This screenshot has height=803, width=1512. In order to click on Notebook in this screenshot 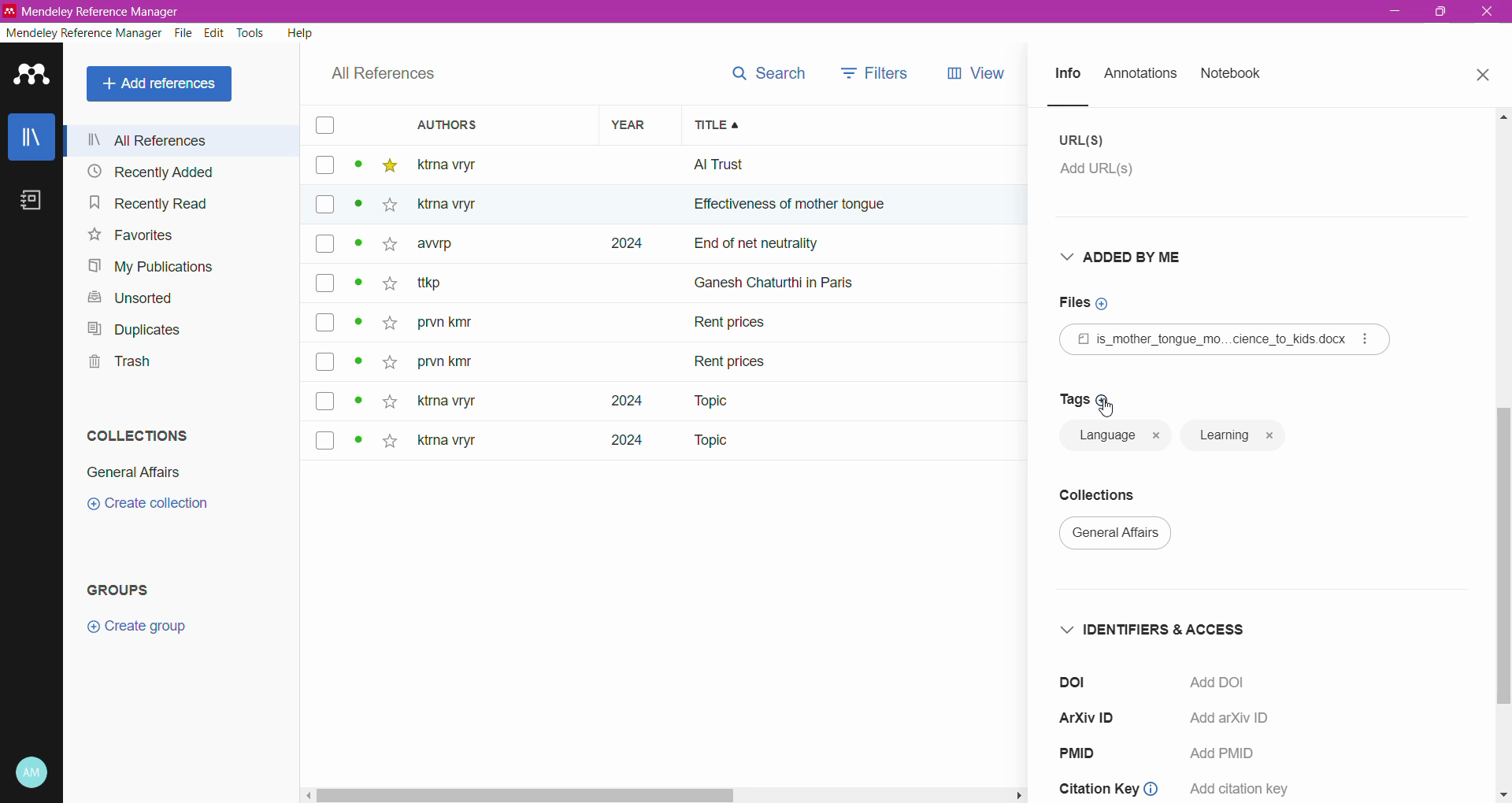, I will do `click(31, 200)`.